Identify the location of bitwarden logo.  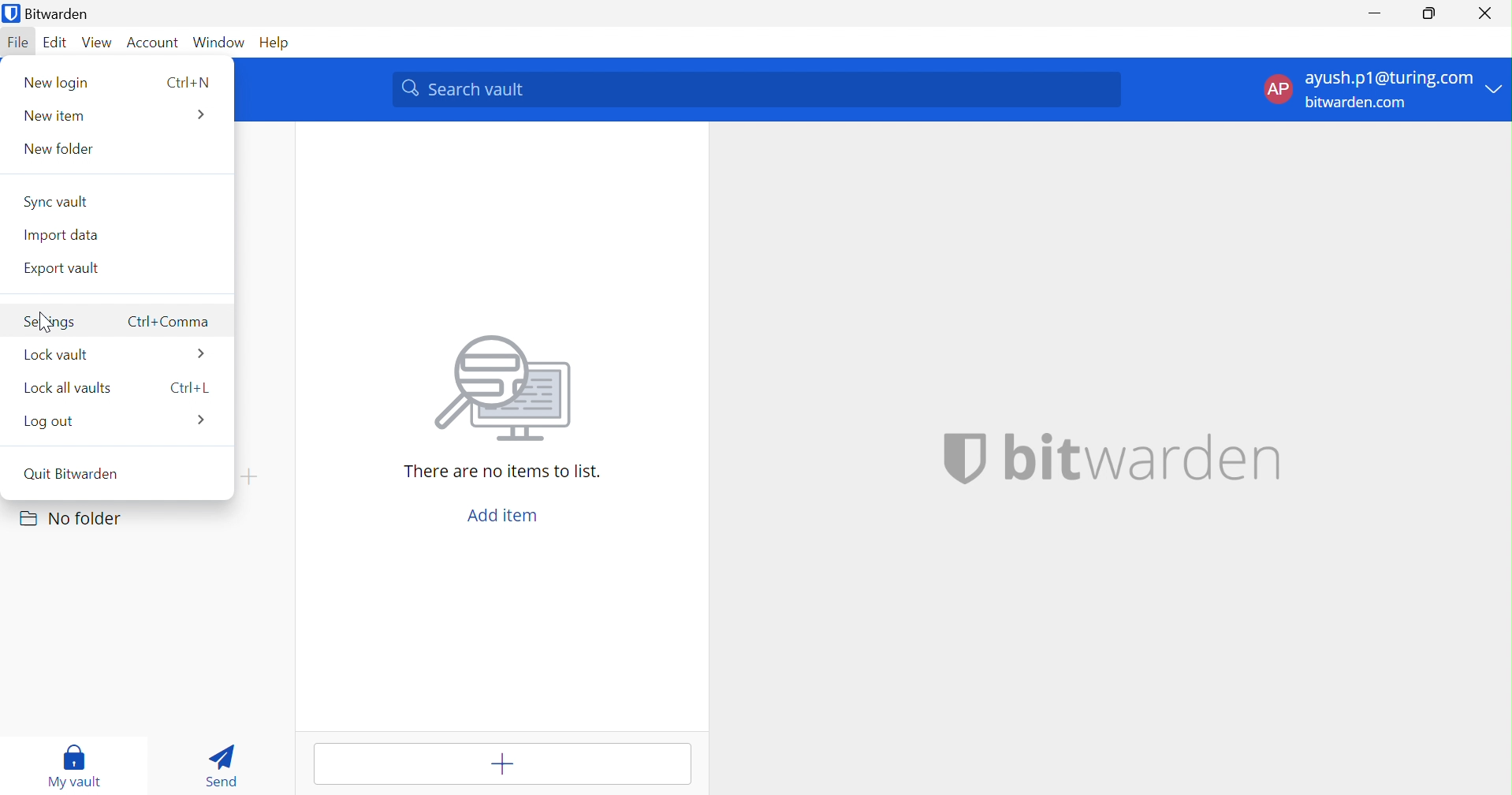
(964, 457).